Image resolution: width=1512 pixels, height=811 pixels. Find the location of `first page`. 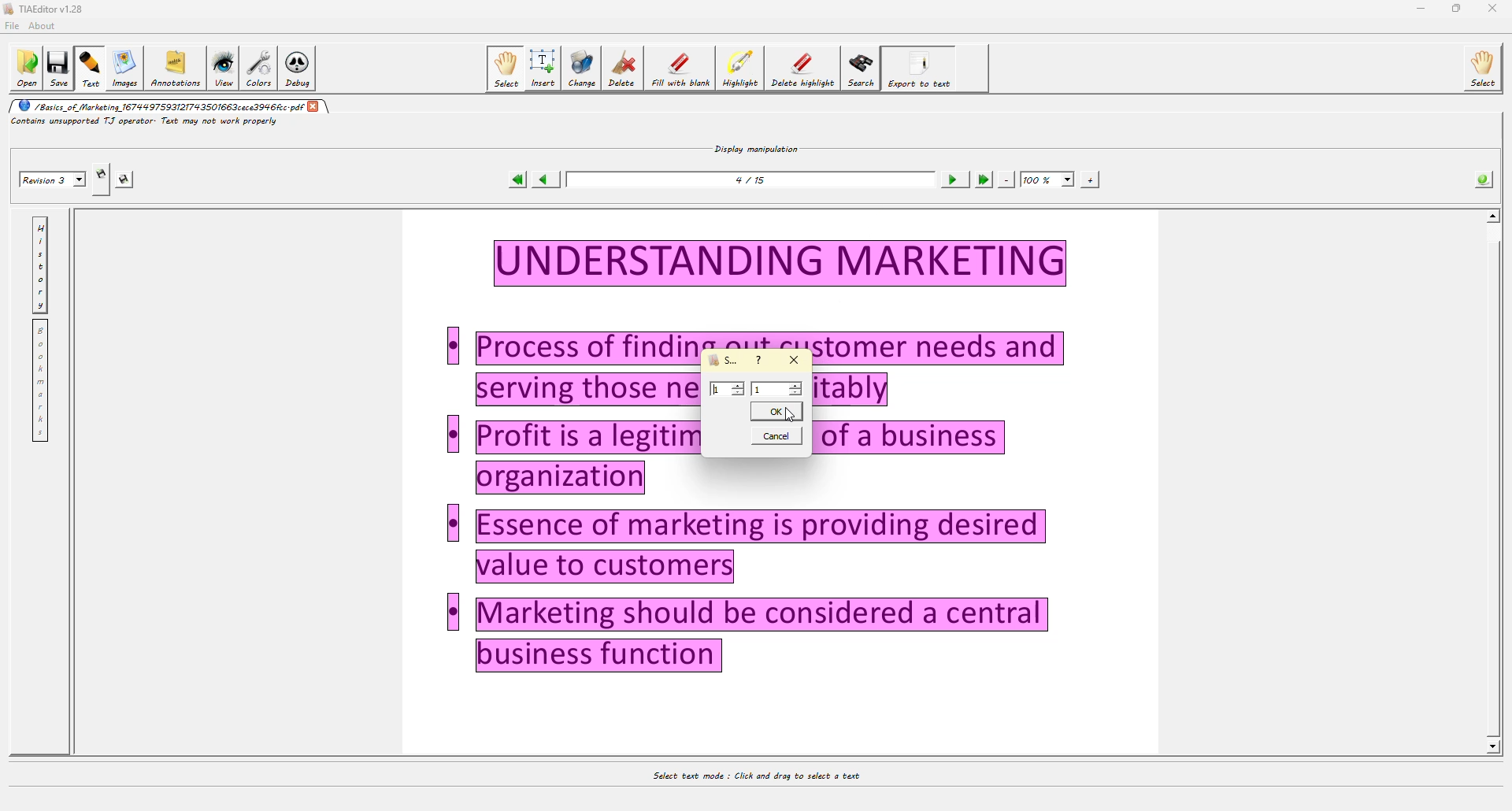

first page is located at coordinates (512, 179).